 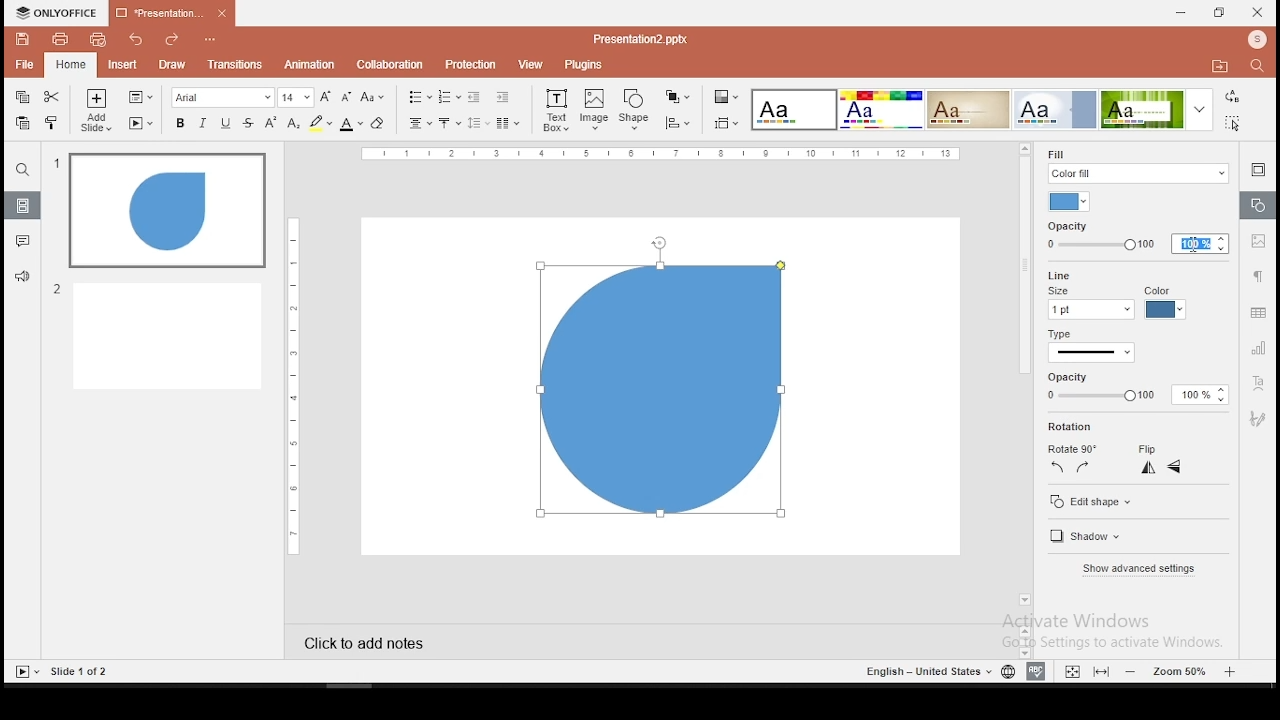 I want to click on shape settings, so click(x=1256, y=206).